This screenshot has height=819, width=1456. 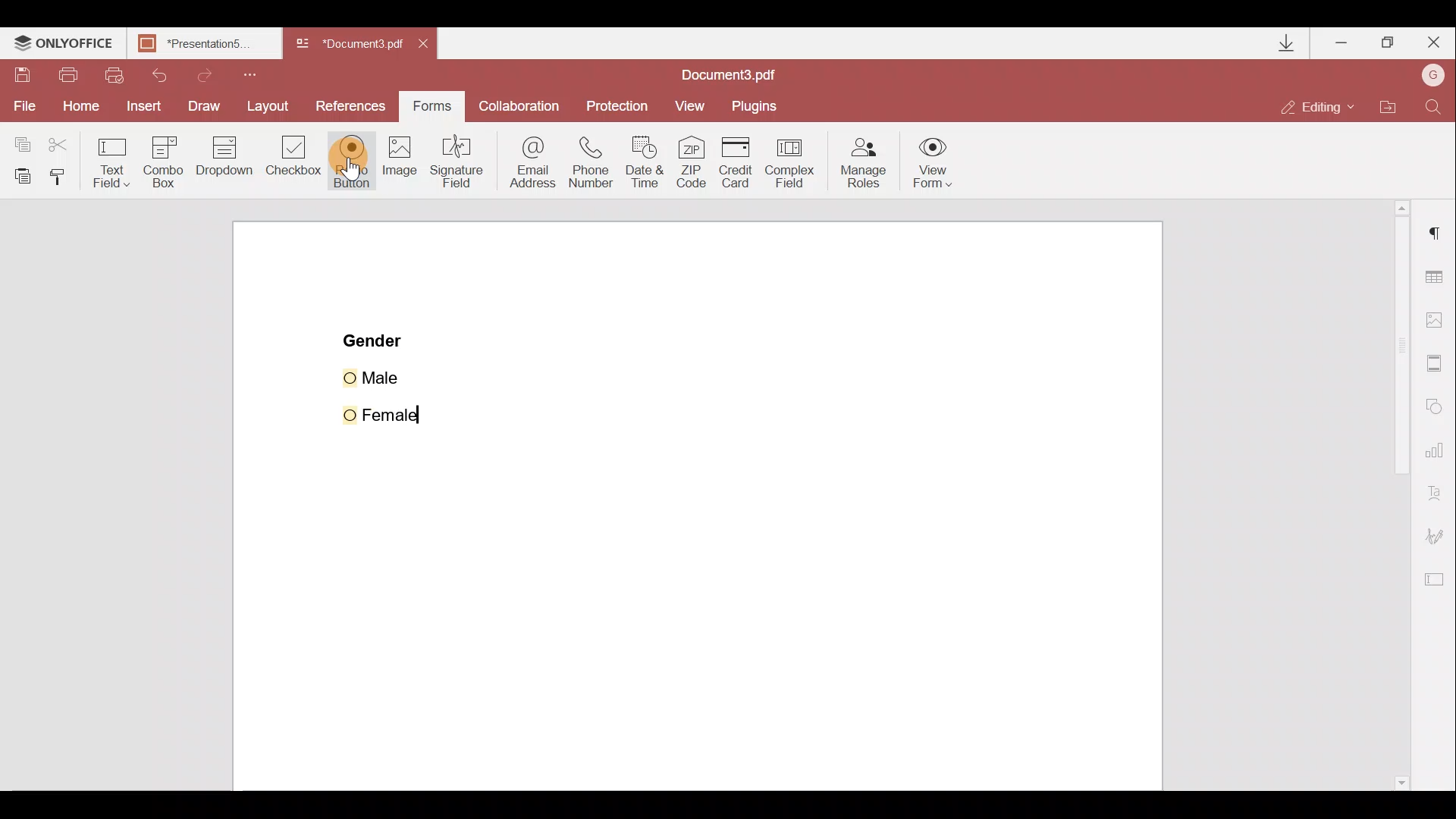 I want to click on Cursor, so click(x=362, y=165).